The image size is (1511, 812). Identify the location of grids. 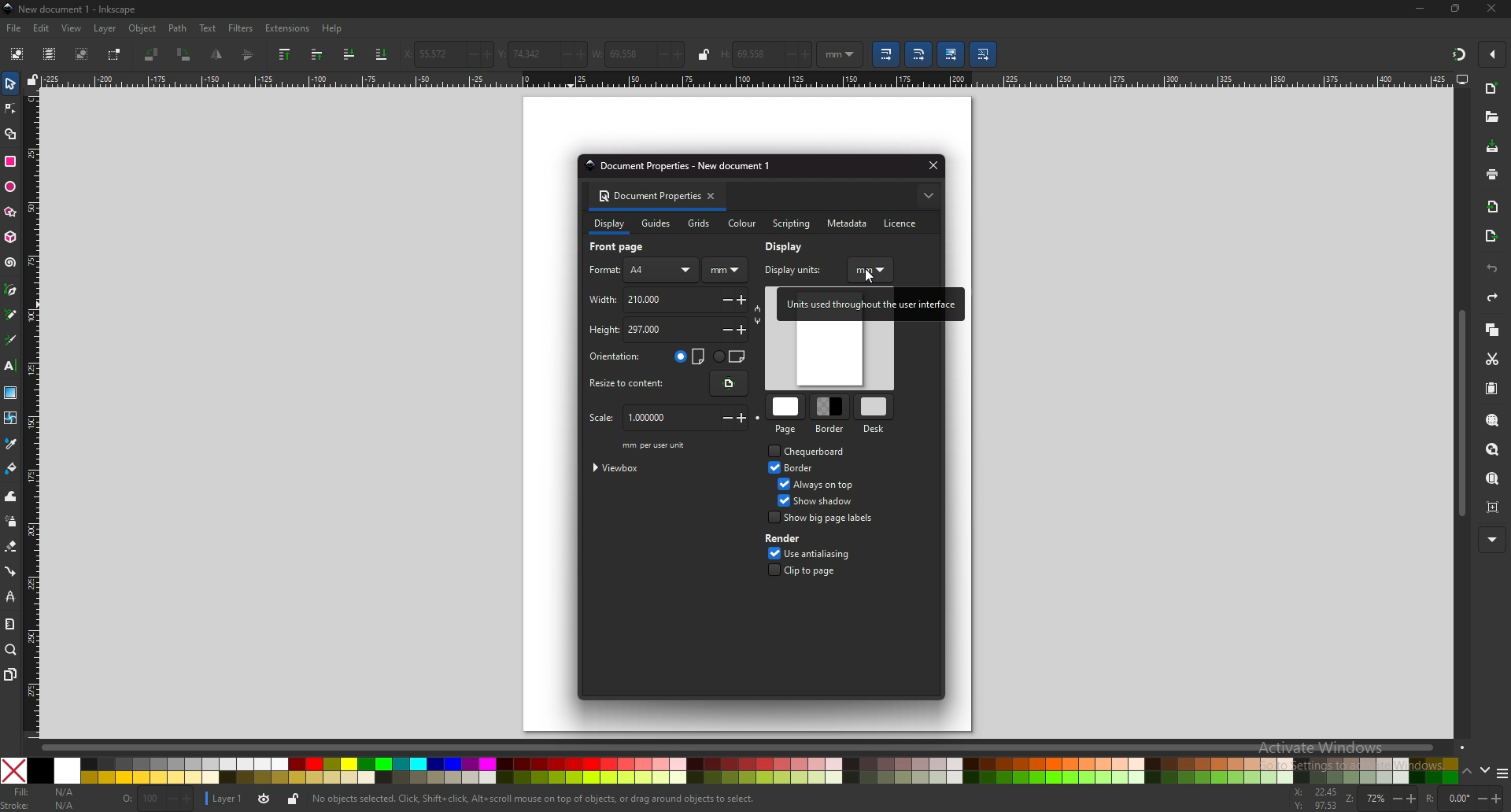
(700, 223).